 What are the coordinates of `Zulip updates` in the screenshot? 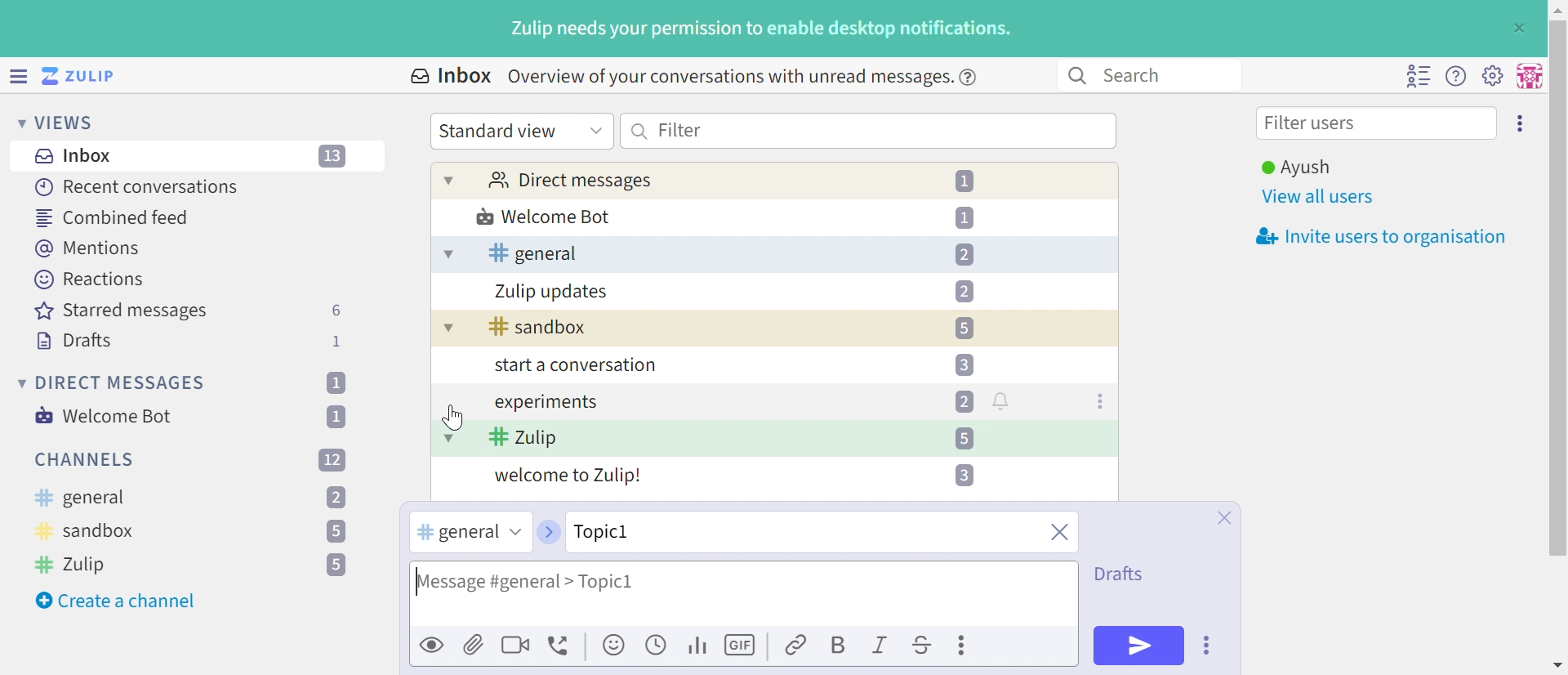 It's located at (552, 292).